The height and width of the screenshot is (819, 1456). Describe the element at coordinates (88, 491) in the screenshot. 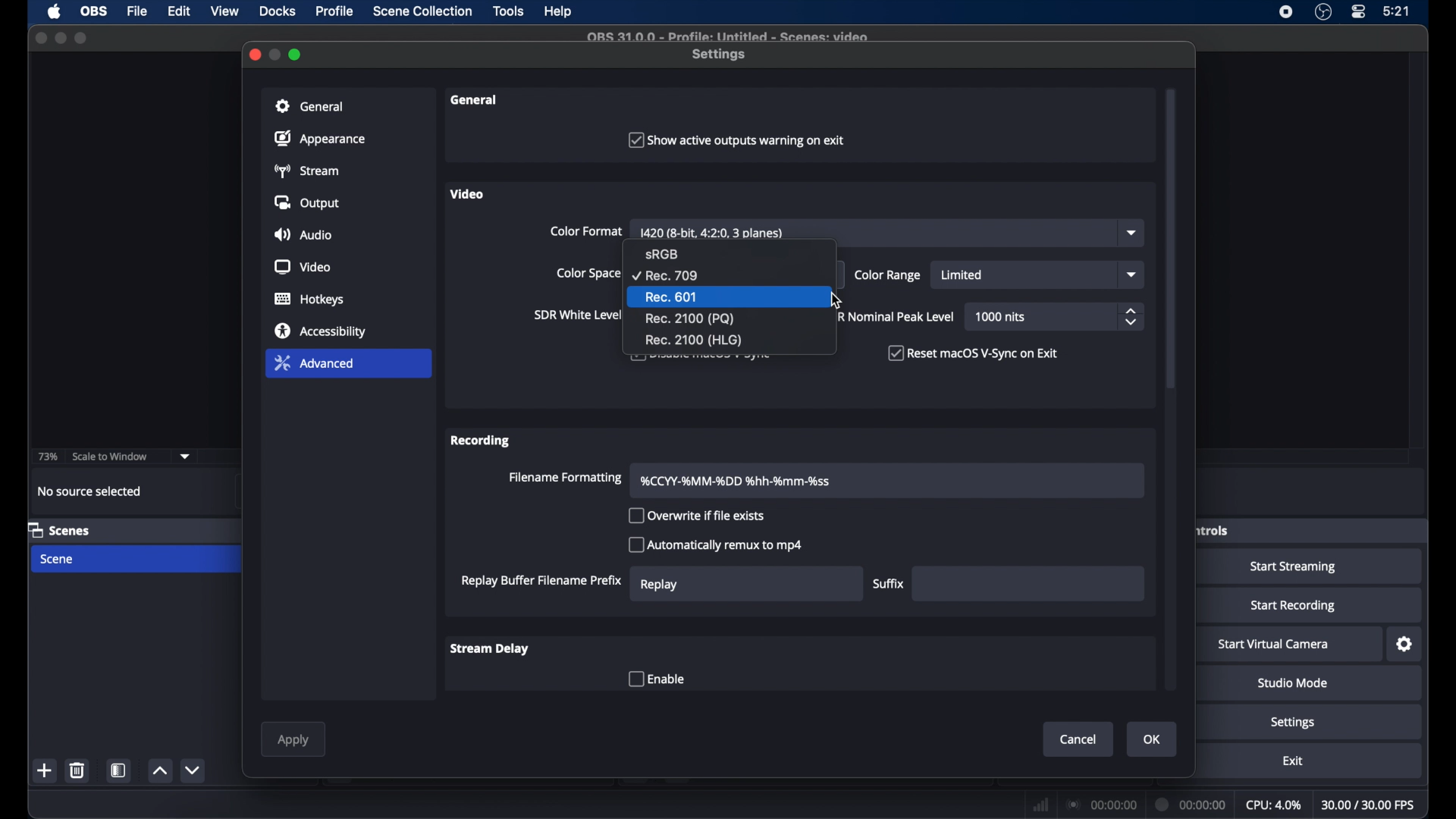

I see `no source selected` at that location.